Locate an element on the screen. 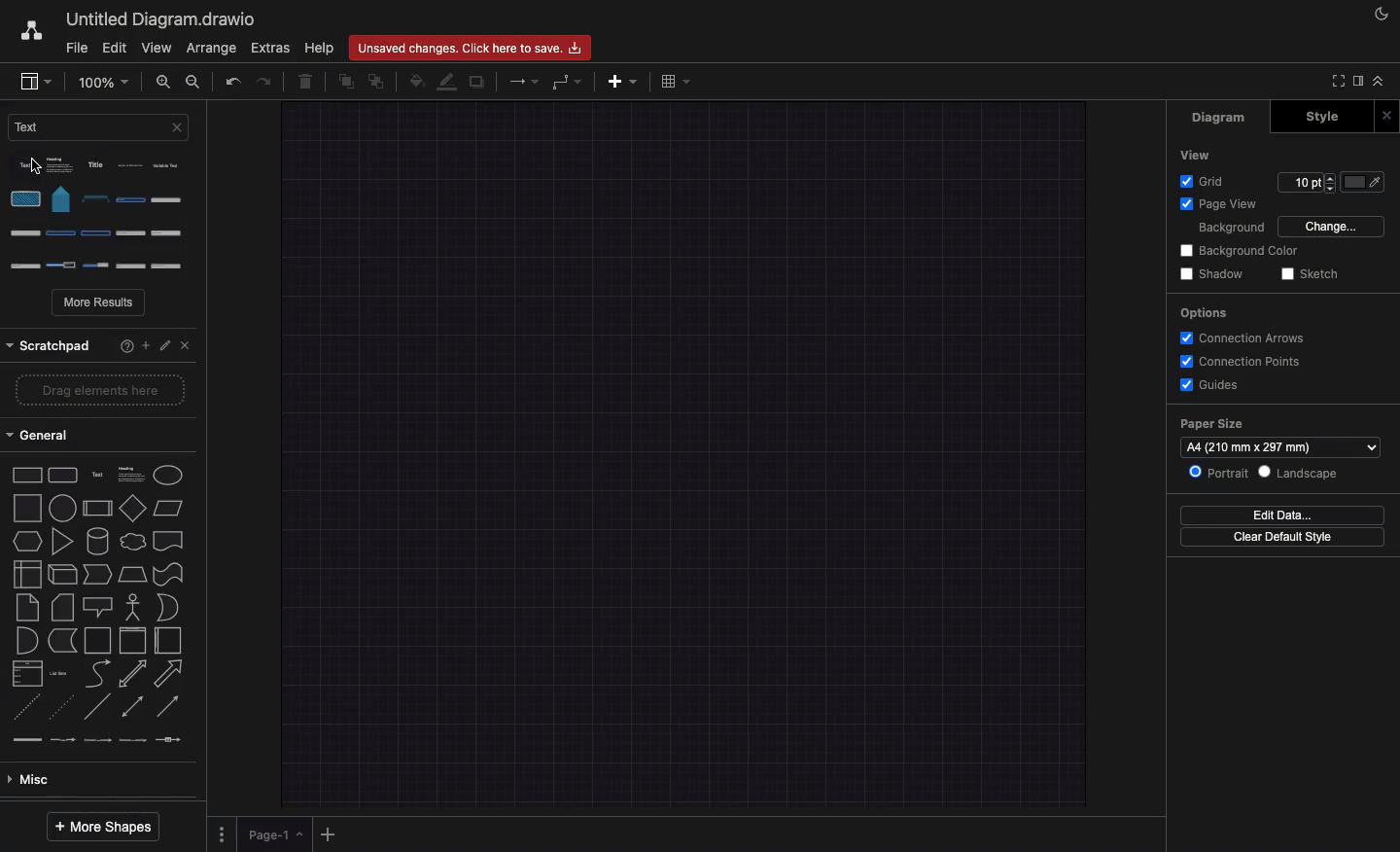  More shapes is located at coordinates (101, 827).